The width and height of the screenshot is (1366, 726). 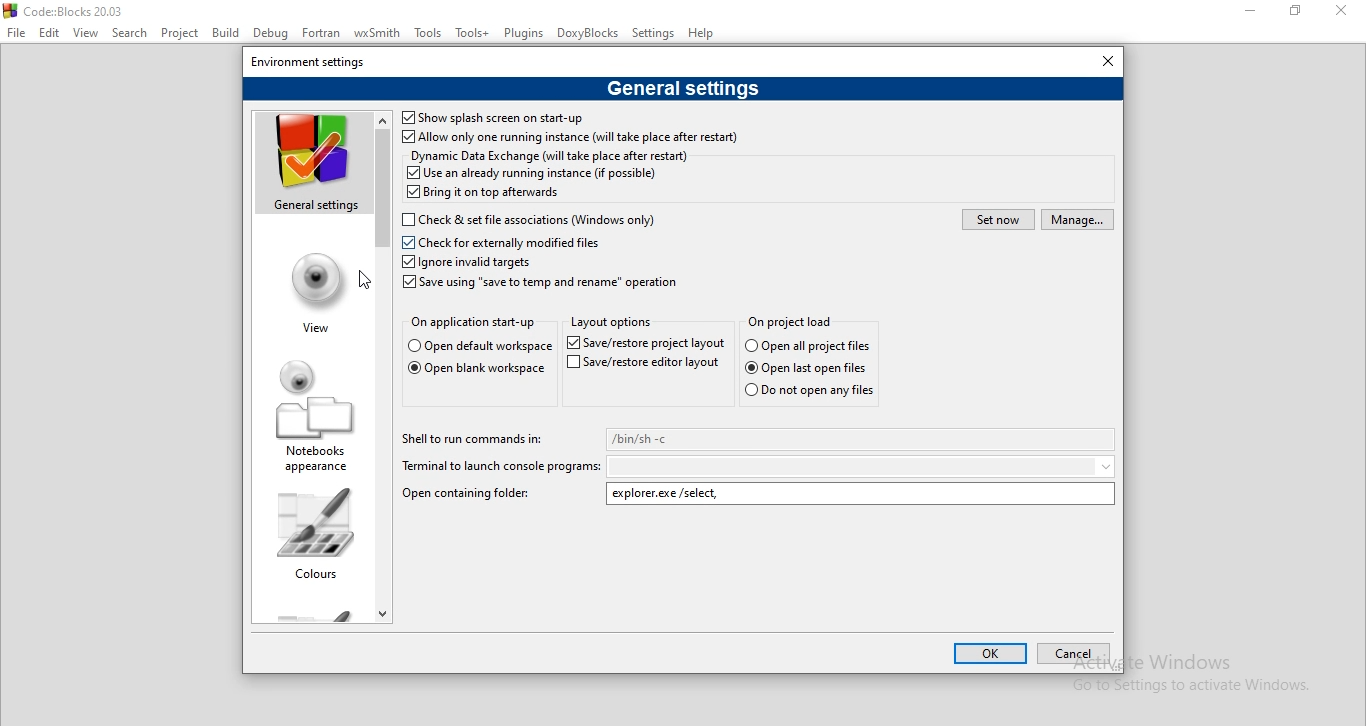 What do you see at coordinates (49, 33) in the screenshot?
I see `Edit` at bounding box center [49, 33].